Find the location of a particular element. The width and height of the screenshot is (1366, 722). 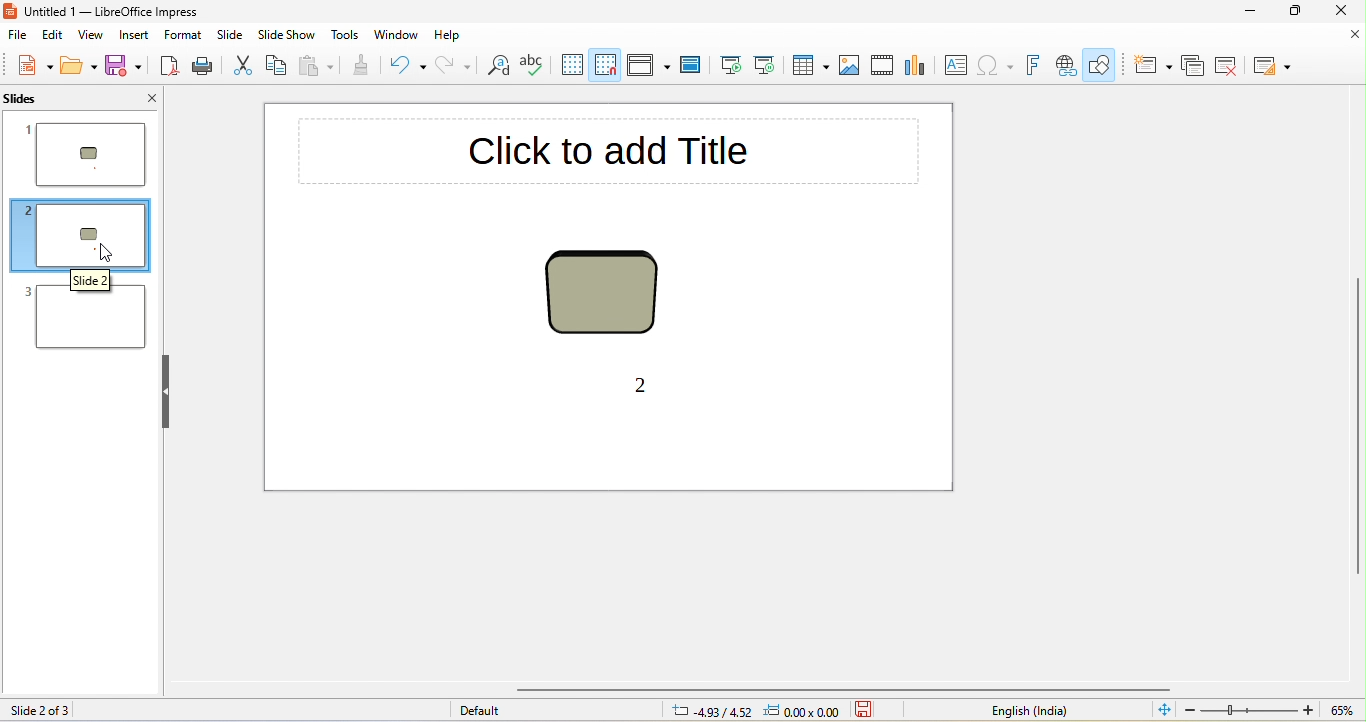

file is located at coordinates (19, 36).